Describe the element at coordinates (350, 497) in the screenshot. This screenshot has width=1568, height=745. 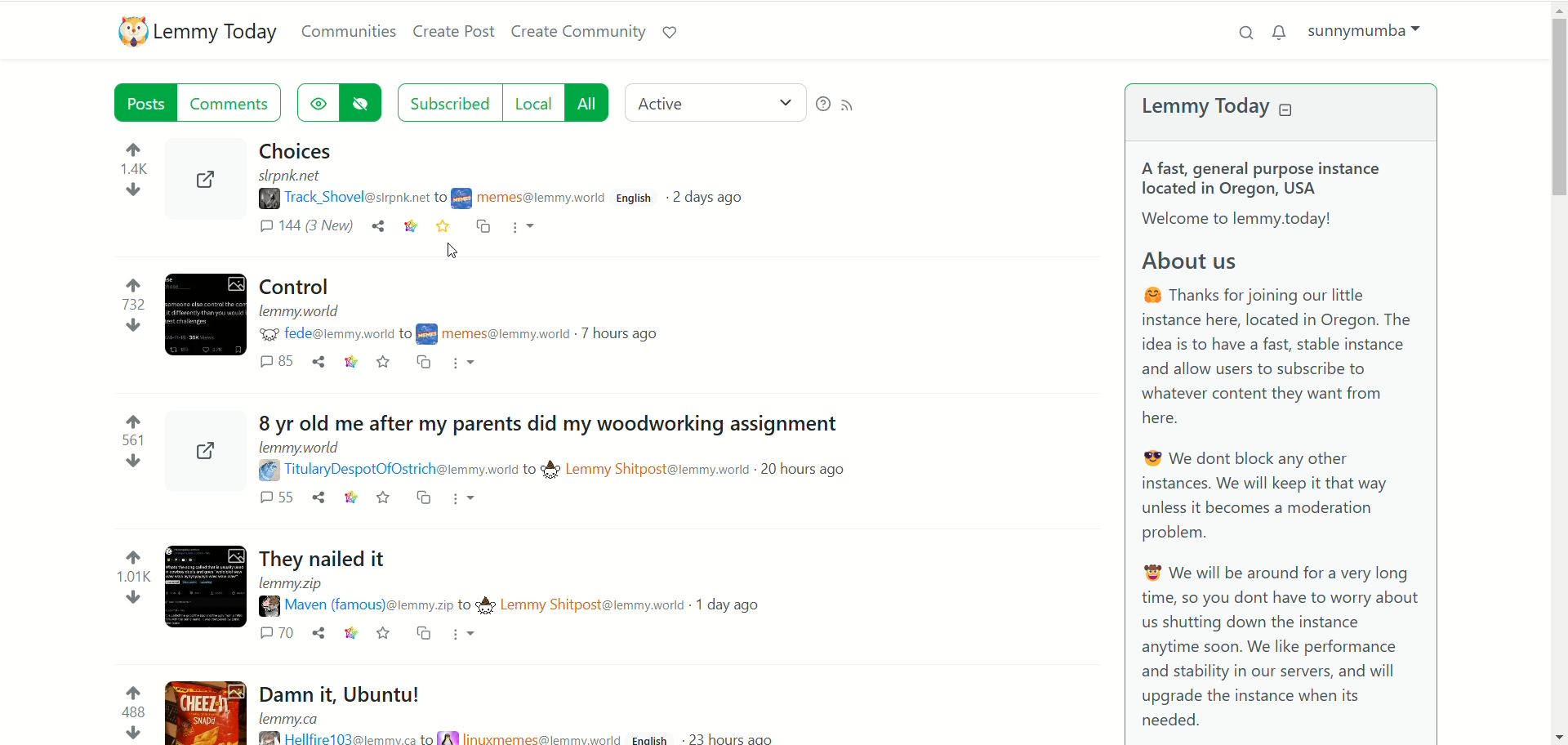
I see `link` at that location.